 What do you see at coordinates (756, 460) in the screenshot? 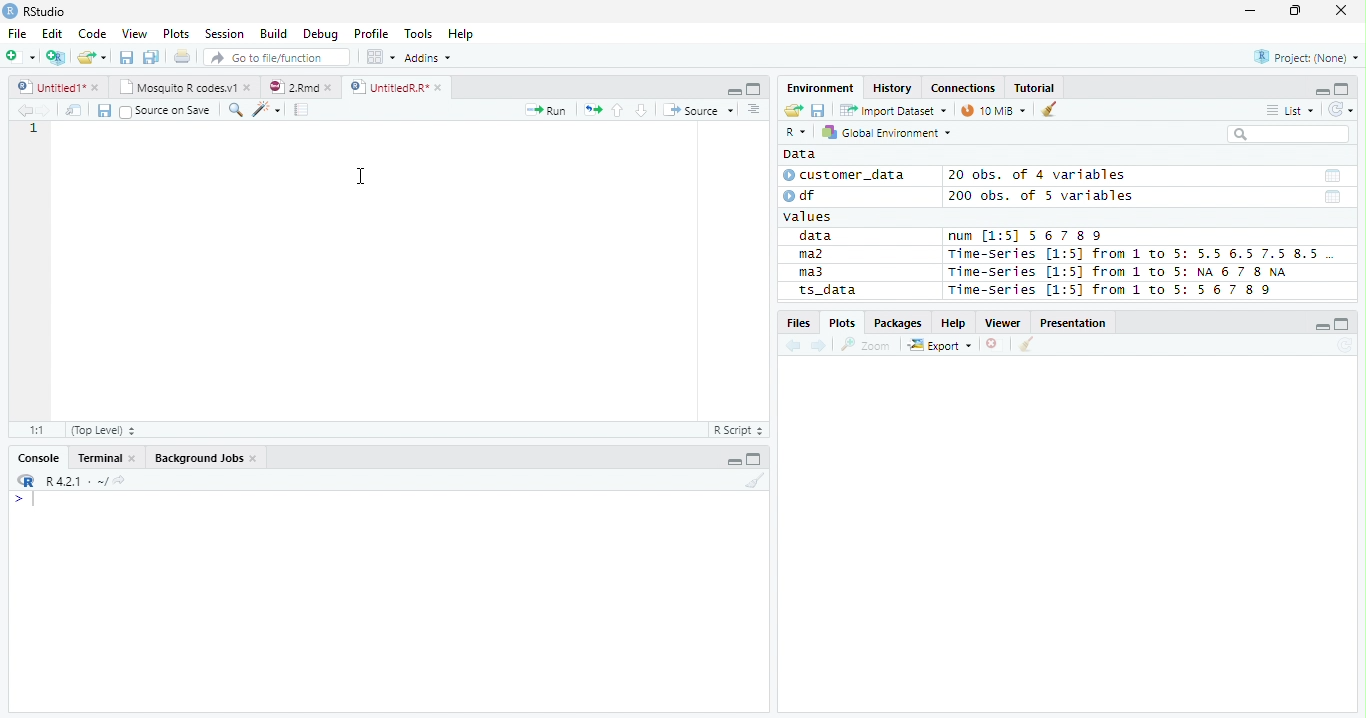
I see `Maximize` at bounding box center [756, 460].